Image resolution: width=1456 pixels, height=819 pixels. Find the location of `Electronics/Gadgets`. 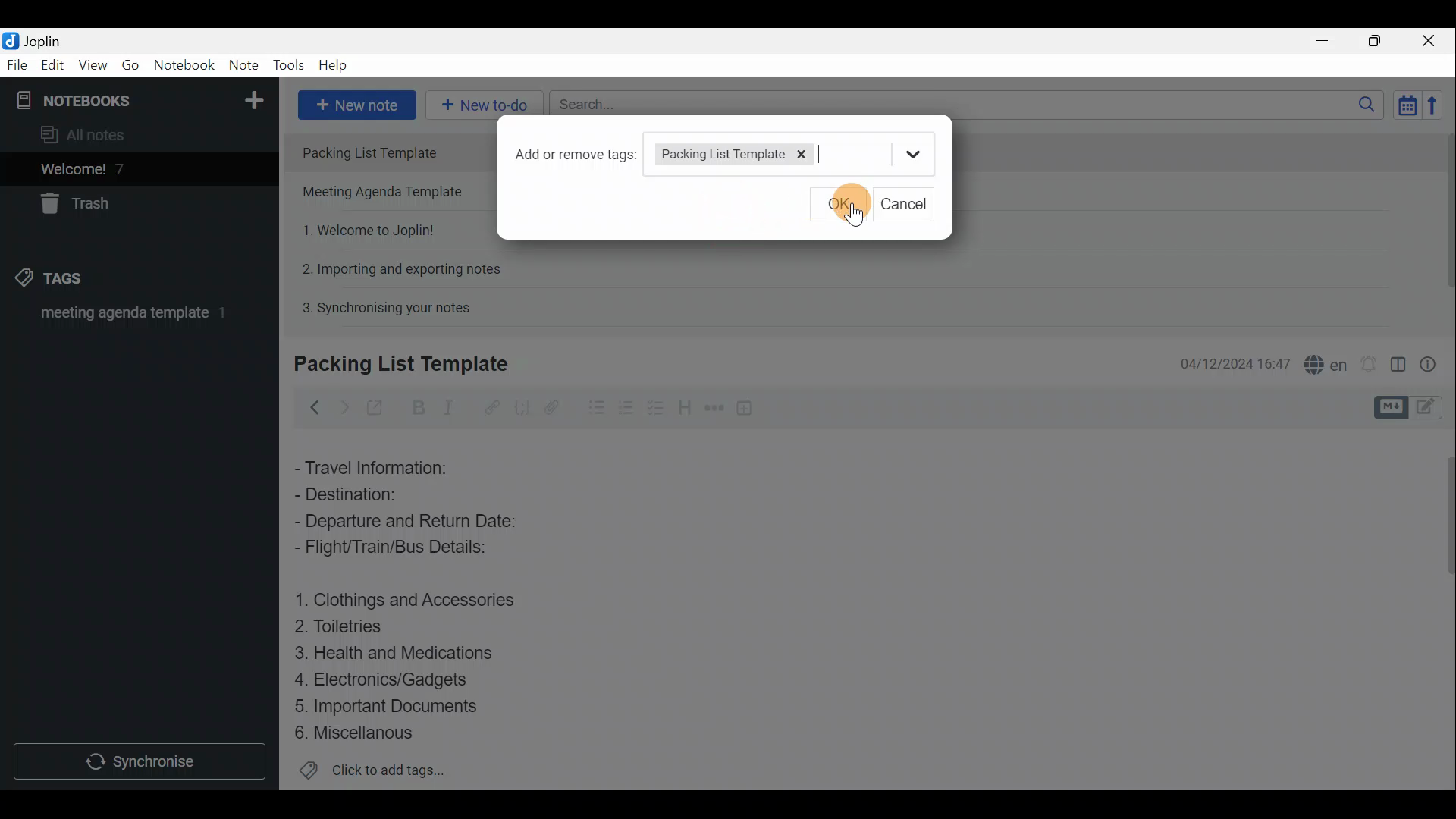

Electronics/Gadgets is located at coordinates (388, 679).